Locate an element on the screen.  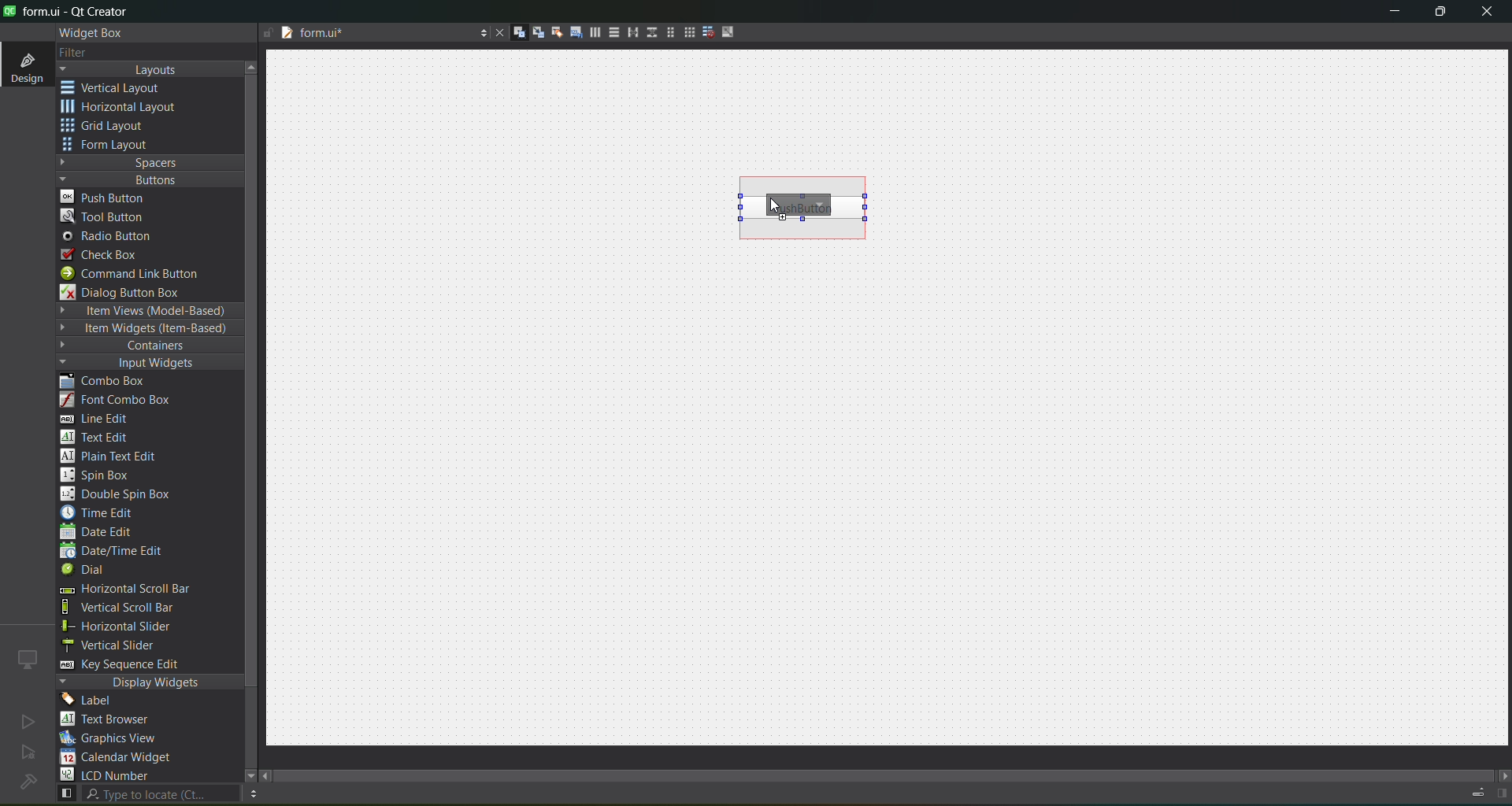
move up is located at coordinates (254, 65).